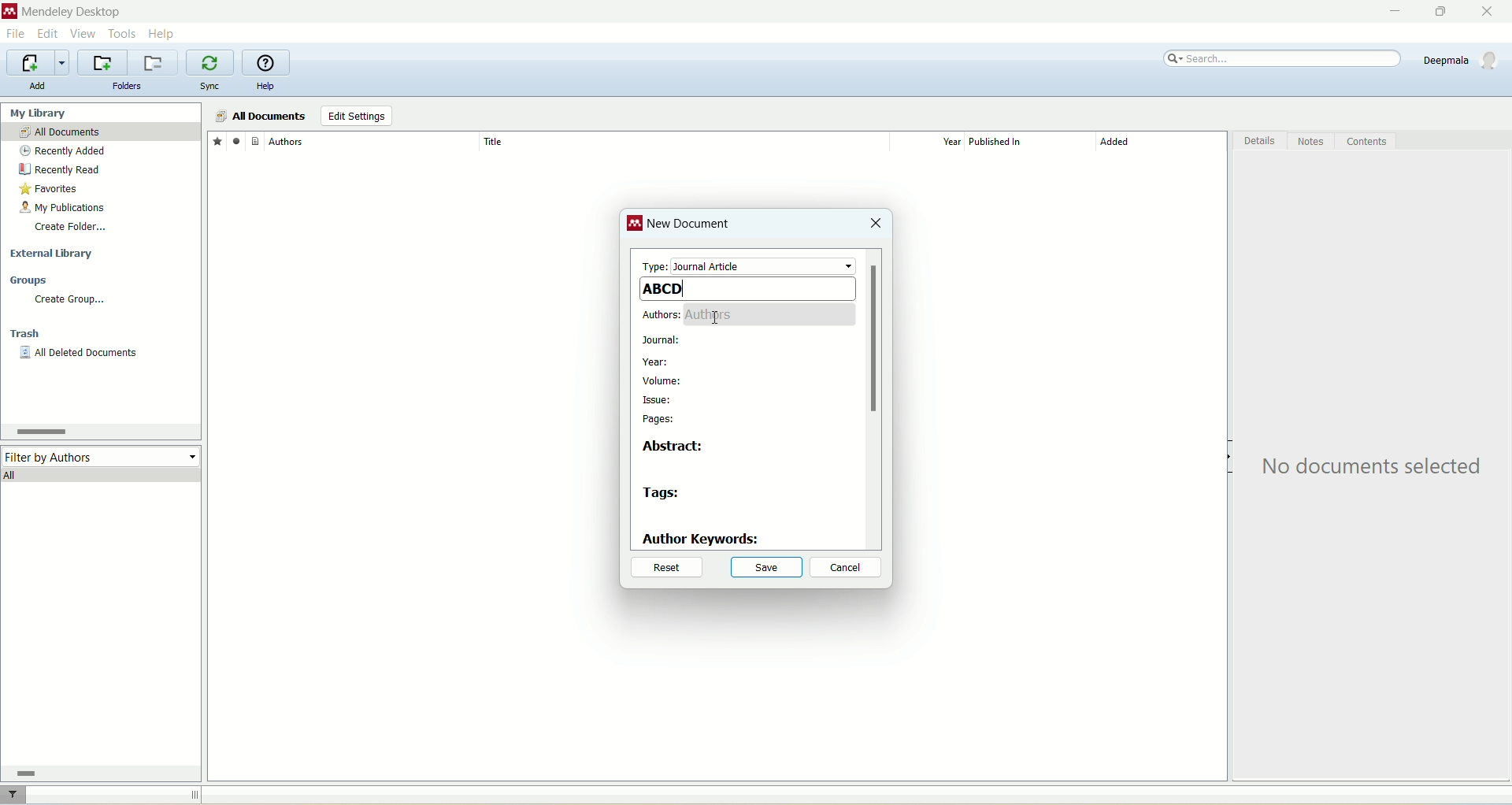  I want to click on recently added, so click(63, 151).